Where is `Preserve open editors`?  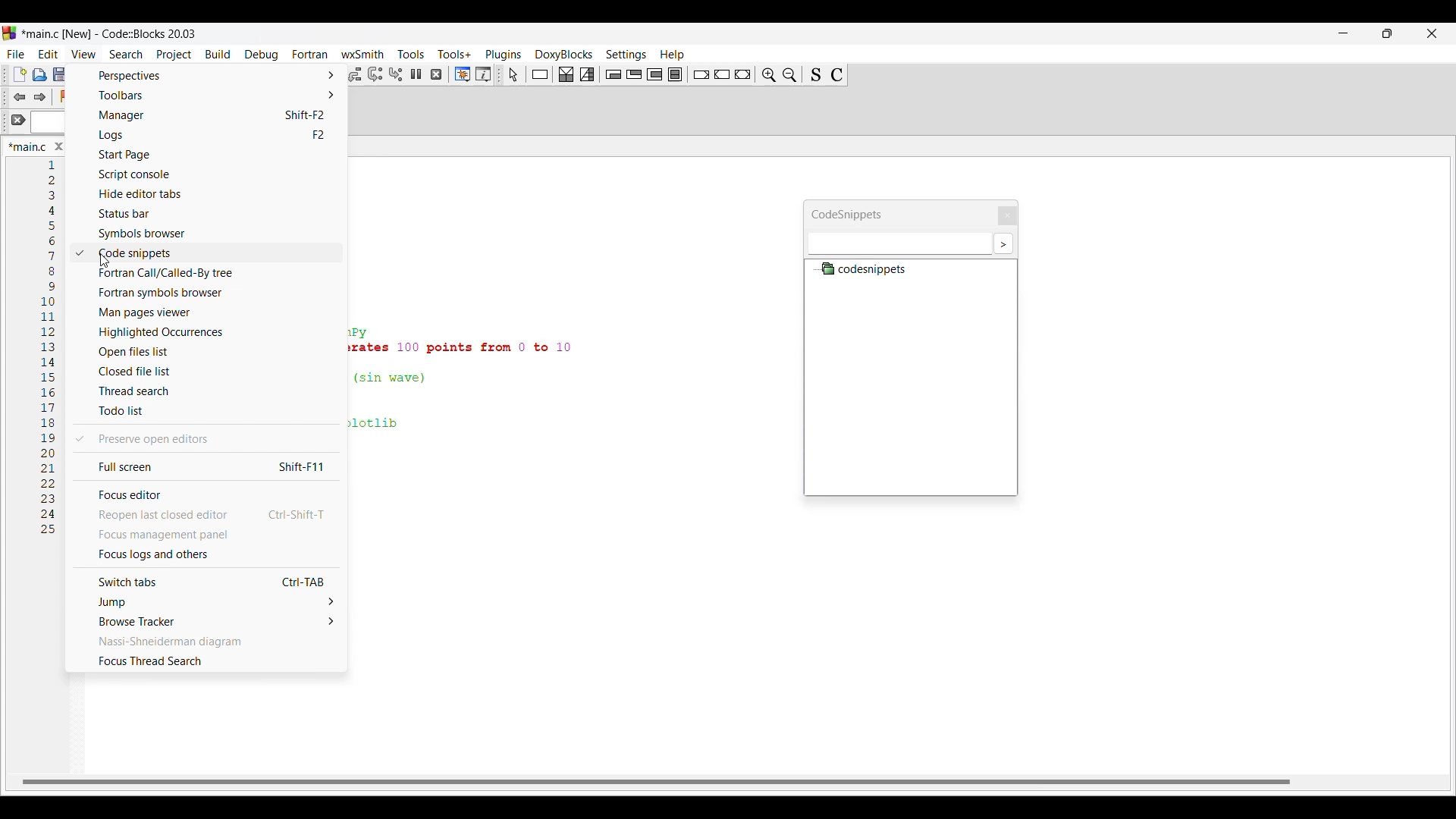
Preserve open editors is located at coordinates (216, 439).